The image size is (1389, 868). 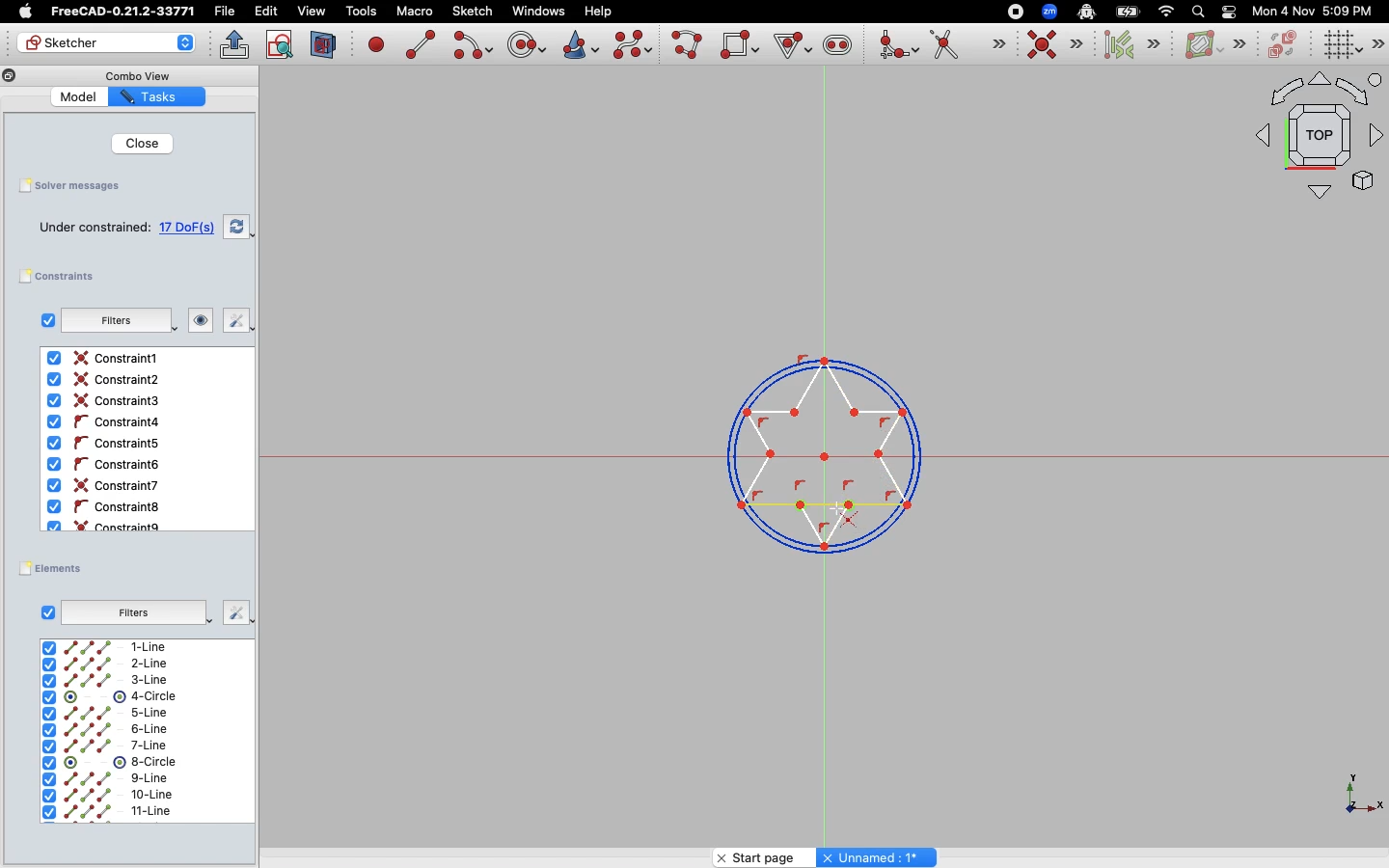 What do you see at coordinates (760, 854) in the screenshot?
I see `Start page` at bounding box center [760, 854].